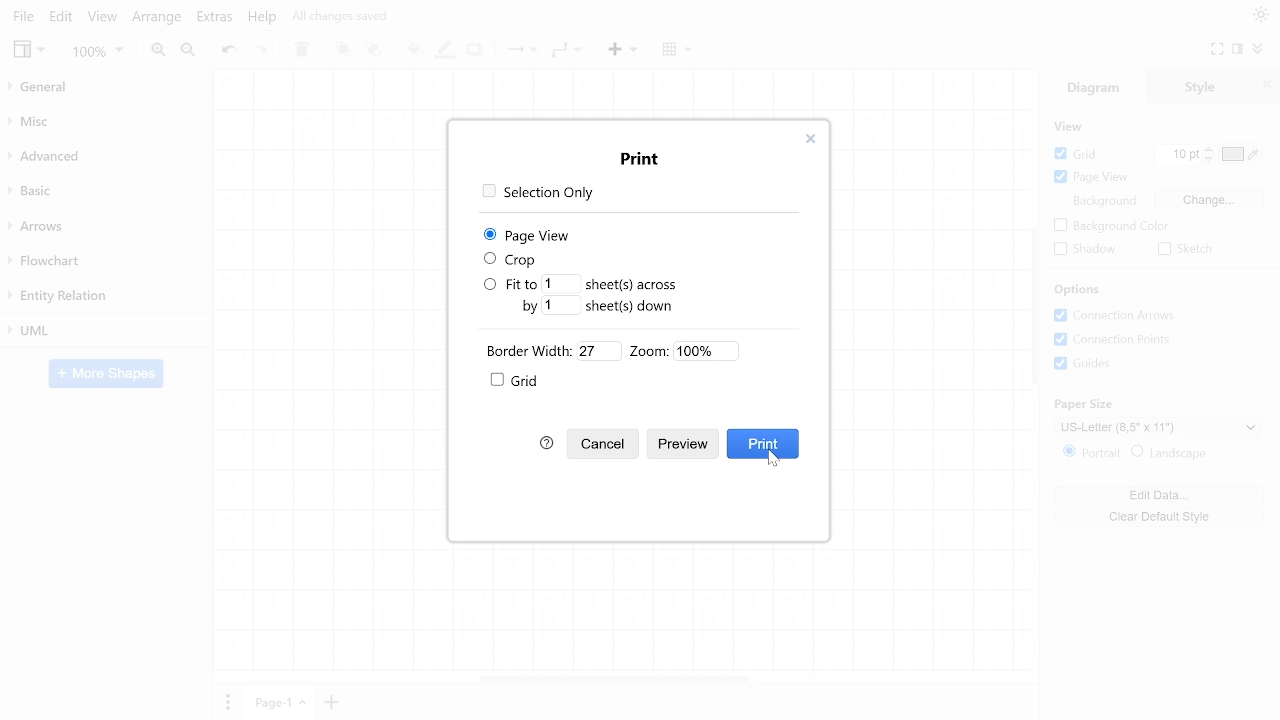  Describe the element at coordinates (1086, 250) in the screenshot. I see `Shadow` at that location.